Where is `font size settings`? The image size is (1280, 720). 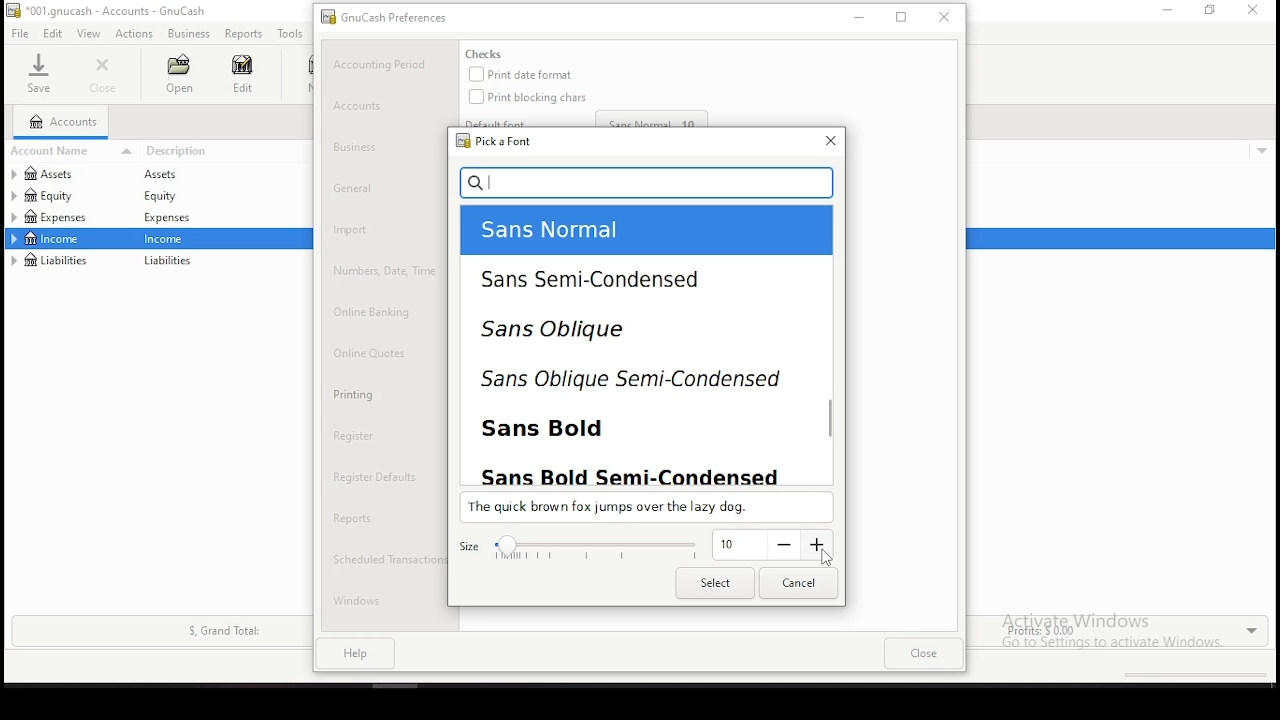 font size settings is located at coordinates (644, 547).